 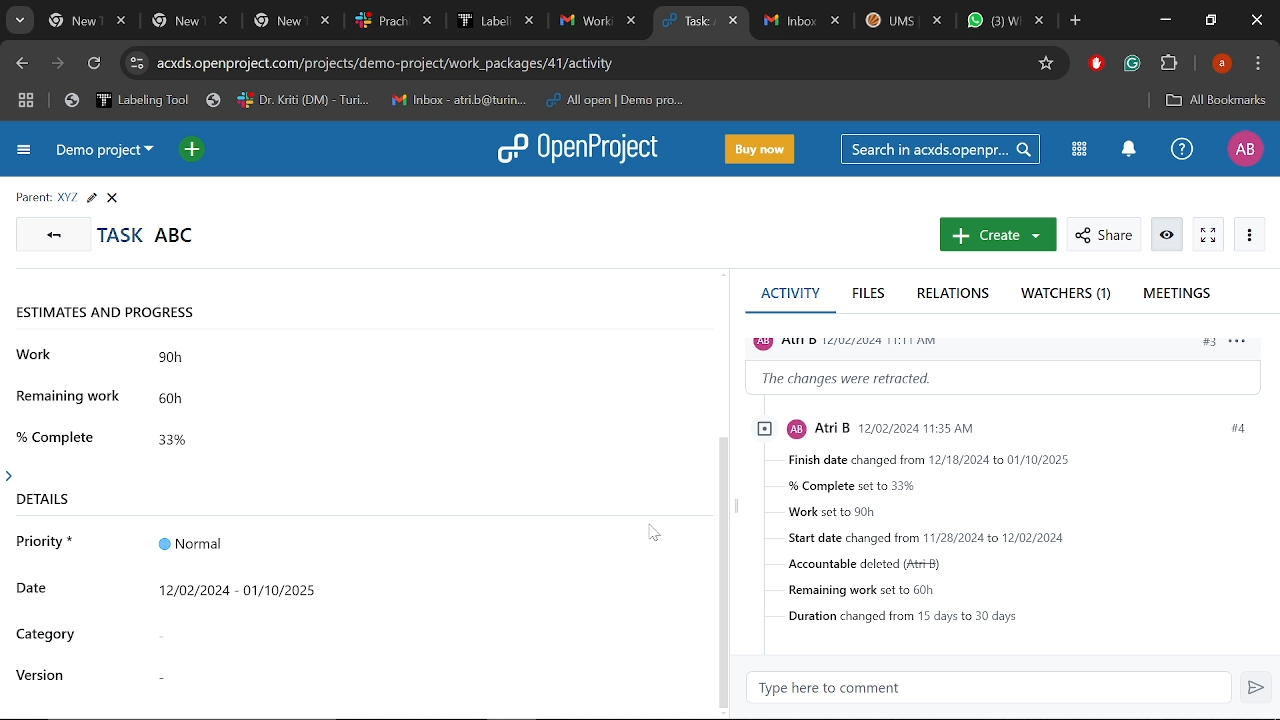 What do you see at coordinates (1248, 233) in the screenshot?
I see `More` at bounding box center [1248, 233].